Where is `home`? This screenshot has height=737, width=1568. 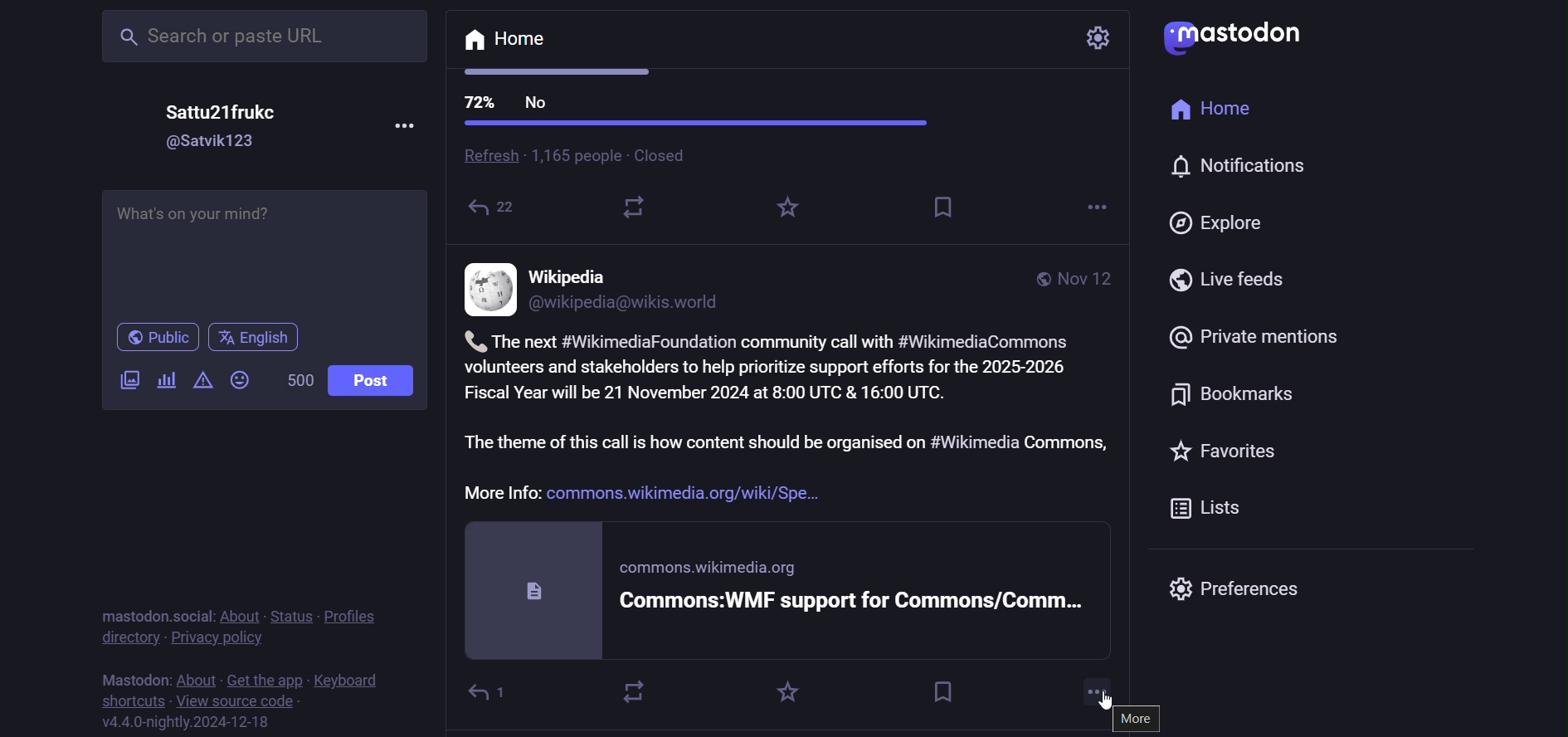 home is located at coordinates (505, 41).